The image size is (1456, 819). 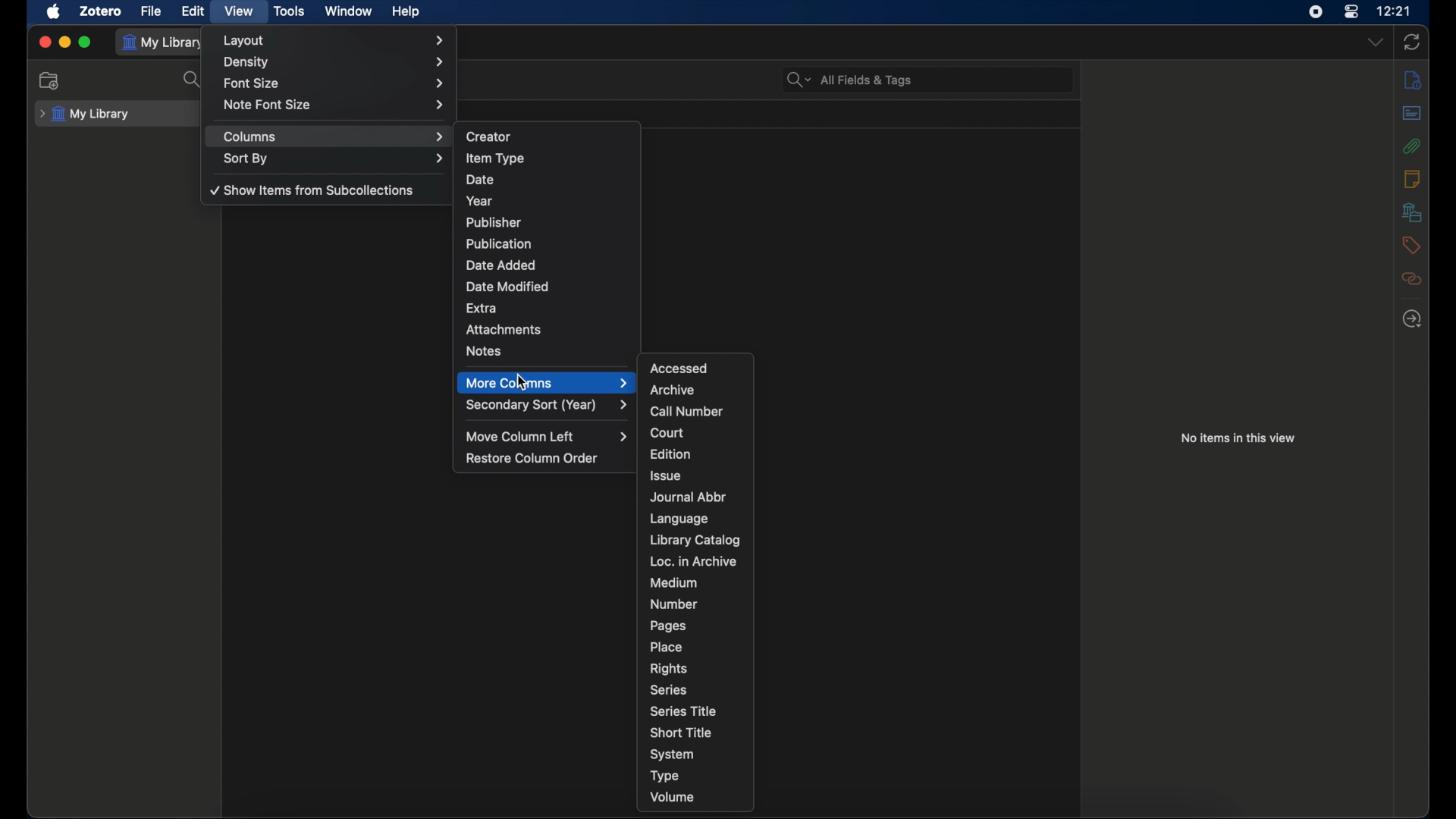 What do you see at coordinates (486, 352) in the screenshot?
I see `notes` at bounding box center [486, 352].